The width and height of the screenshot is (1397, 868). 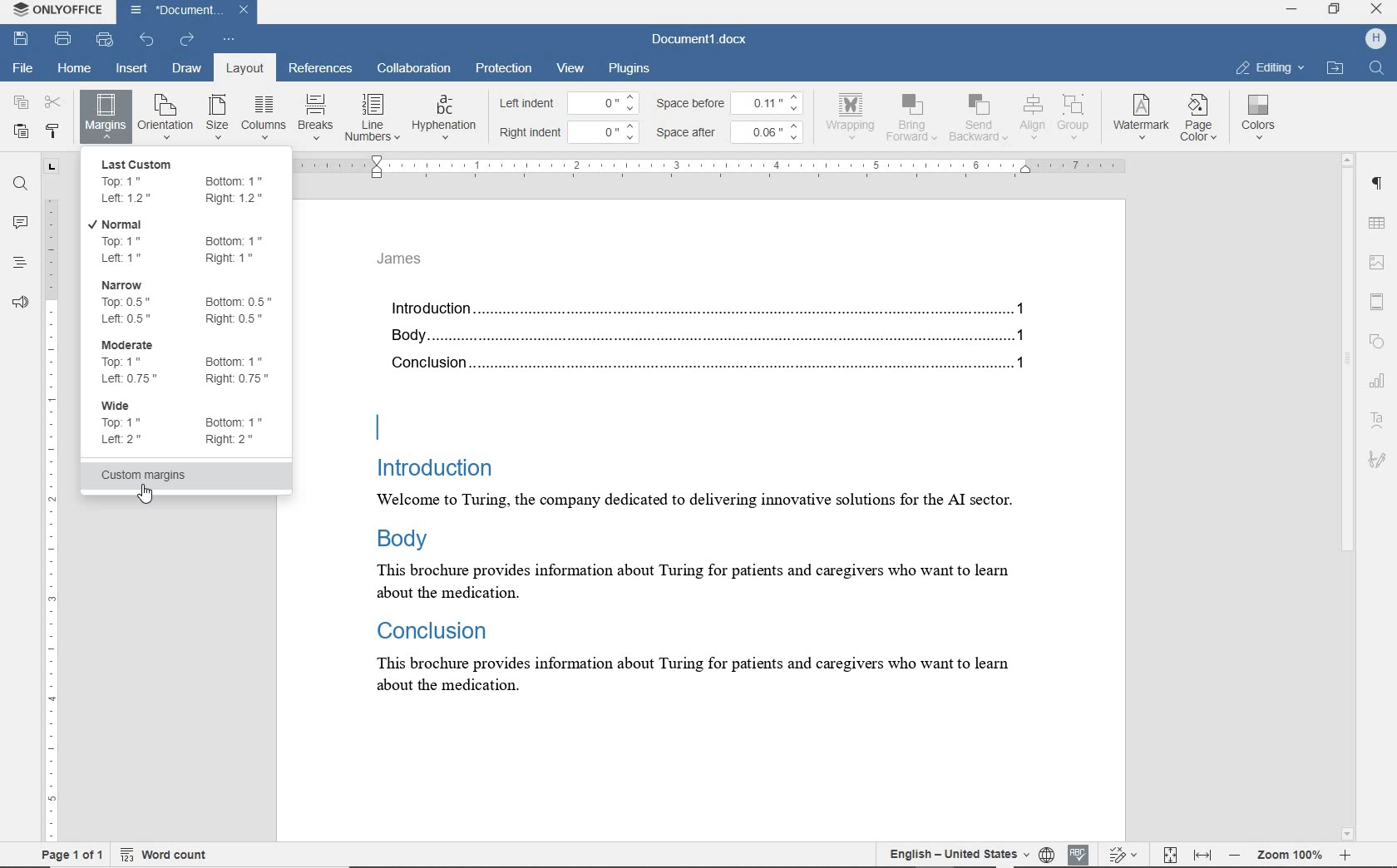 What do you see at coordinates (72, 854) in the screenshot?
I see `page 1 of 1` at bounding box center [72, 854].